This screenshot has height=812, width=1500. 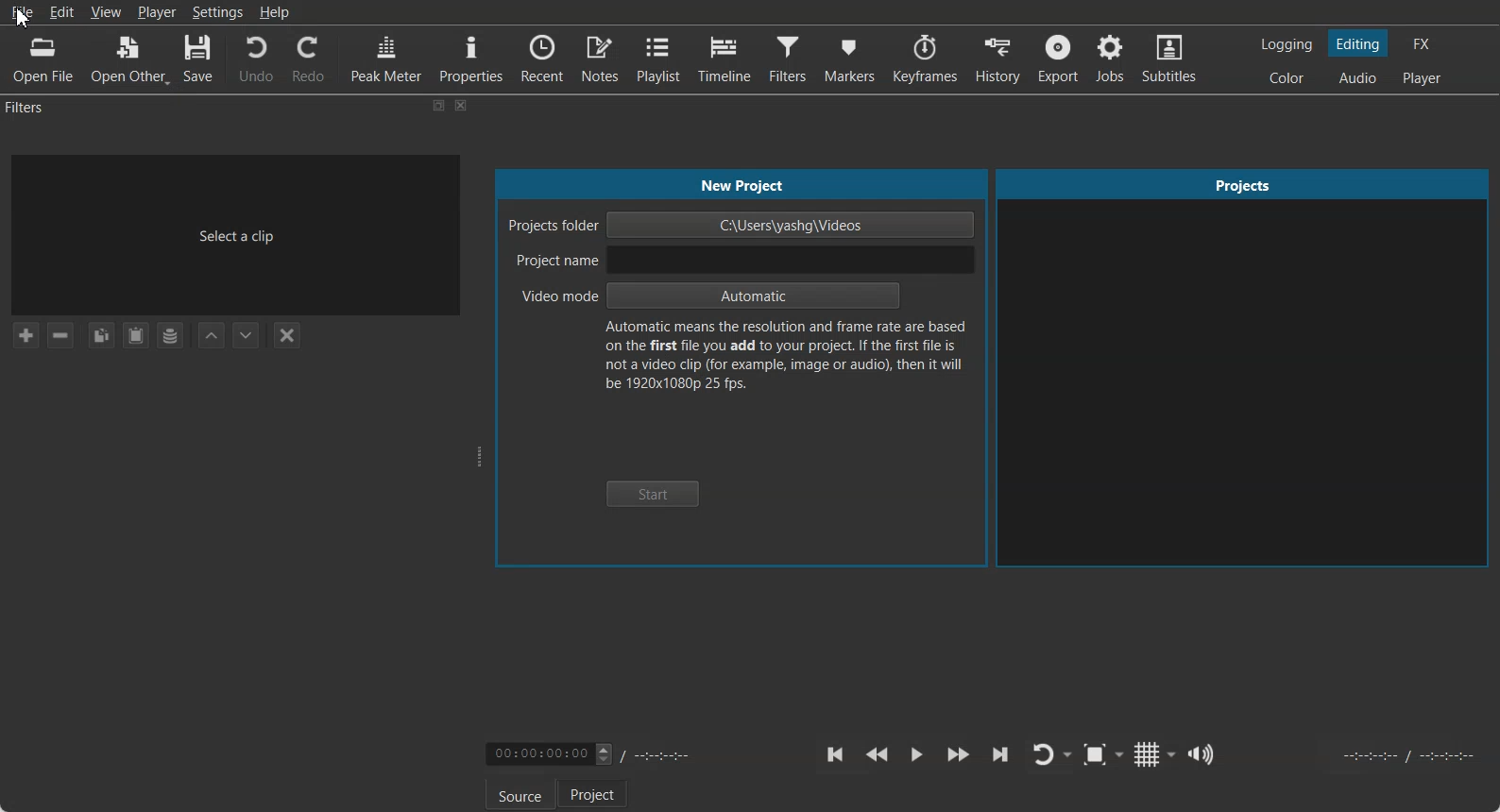 What do you see at coordinates (169, 336) in the screenshot?
I see `Save a filter set` at bounding box center [169, 336].